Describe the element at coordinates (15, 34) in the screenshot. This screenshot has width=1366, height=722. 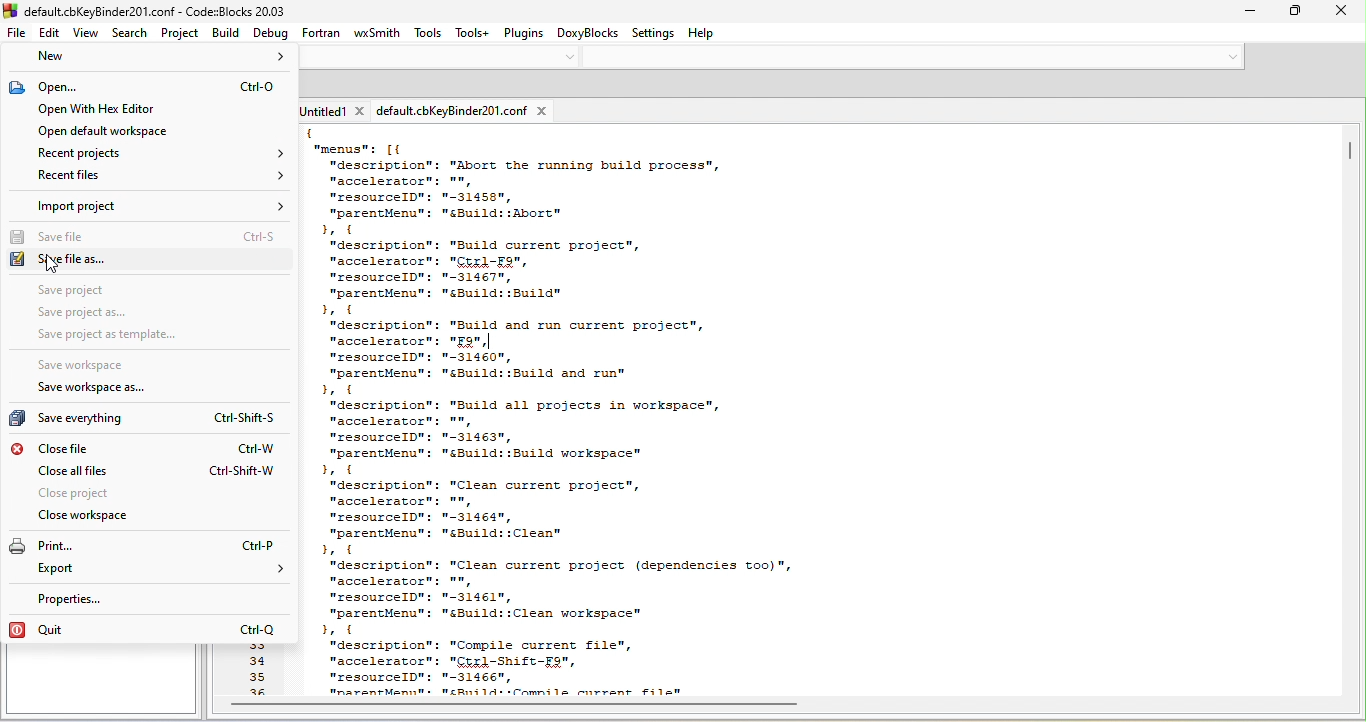
I see `file` at that location.